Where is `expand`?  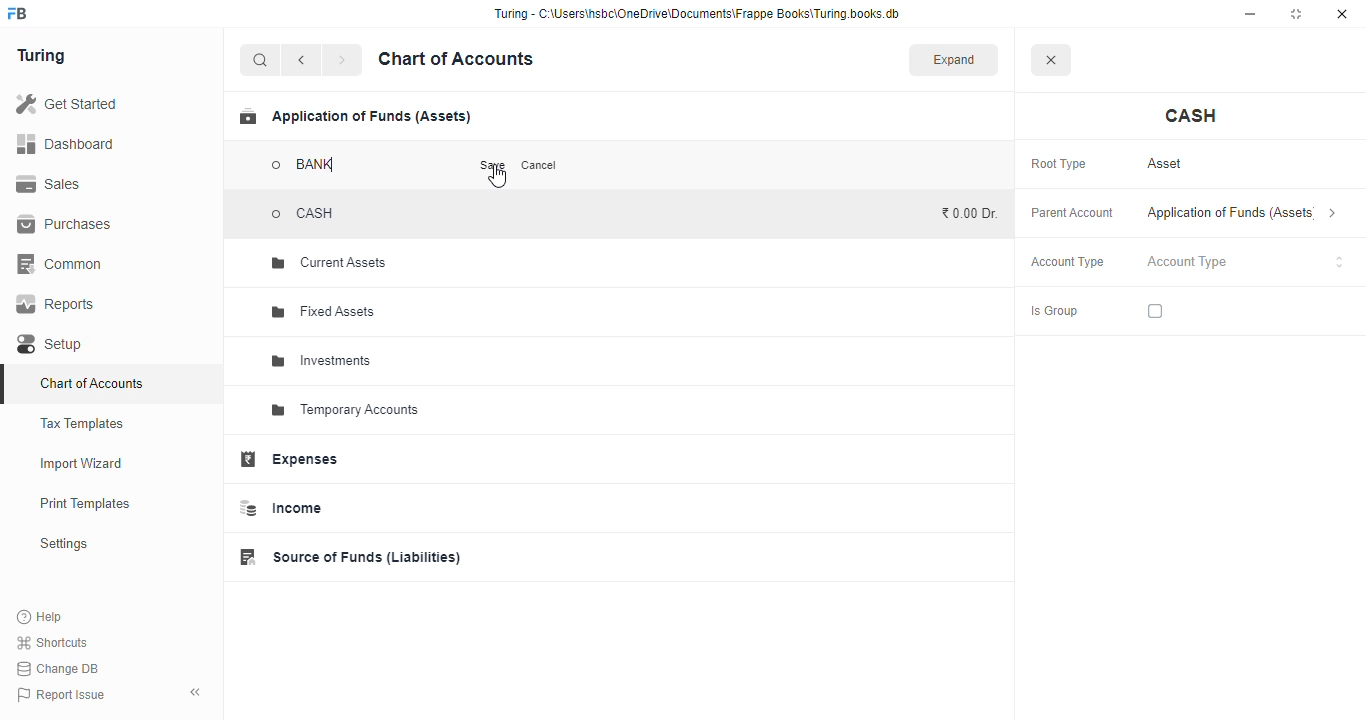
expand is located at coordinates (954, 59).